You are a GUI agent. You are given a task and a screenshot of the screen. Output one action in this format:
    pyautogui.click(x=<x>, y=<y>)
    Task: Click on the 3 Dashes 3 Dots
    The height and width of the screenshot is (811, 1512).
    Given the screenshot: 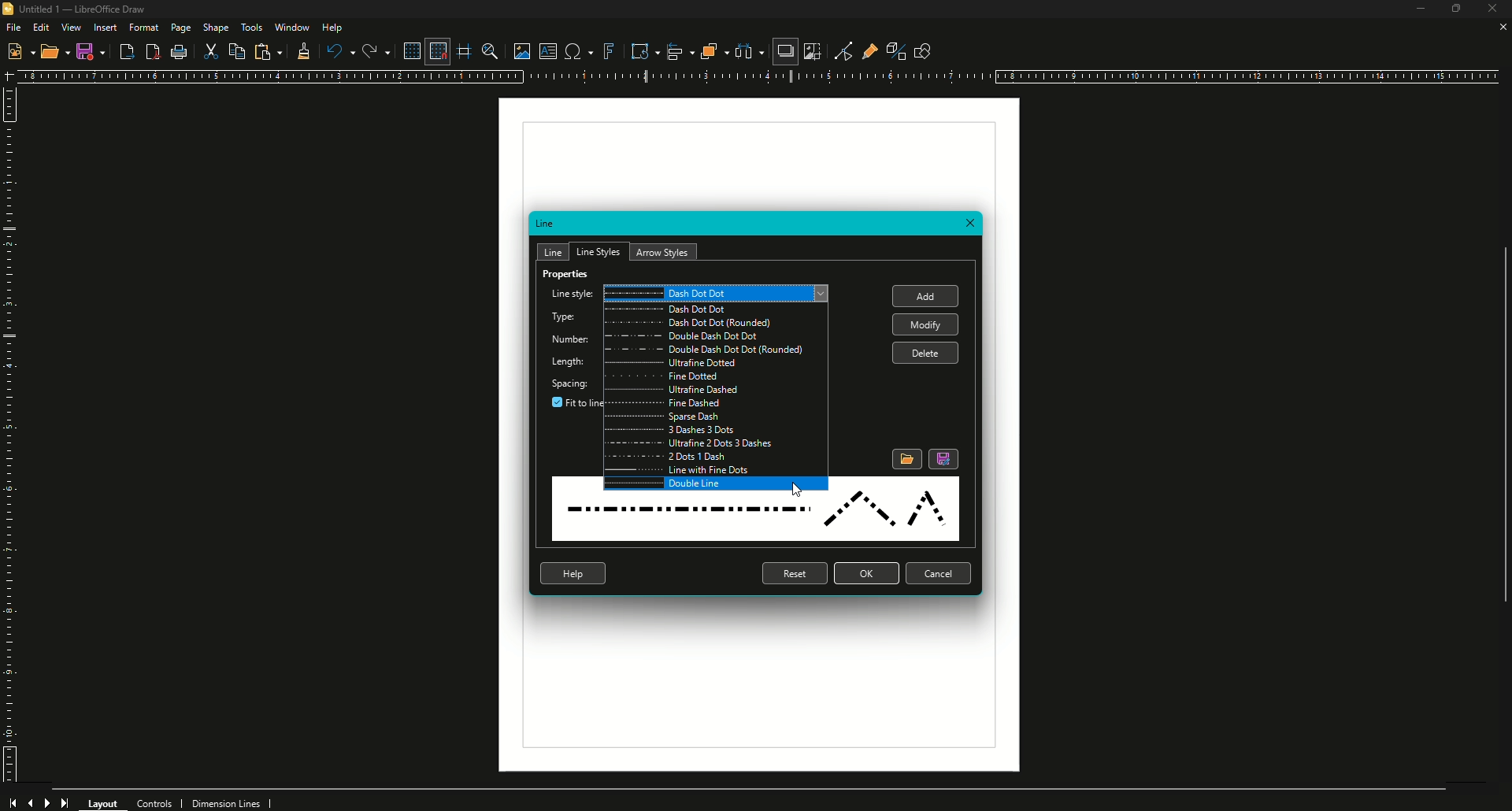 What is the action you would take?
    pyautogui.click(x=716, y=431)
    